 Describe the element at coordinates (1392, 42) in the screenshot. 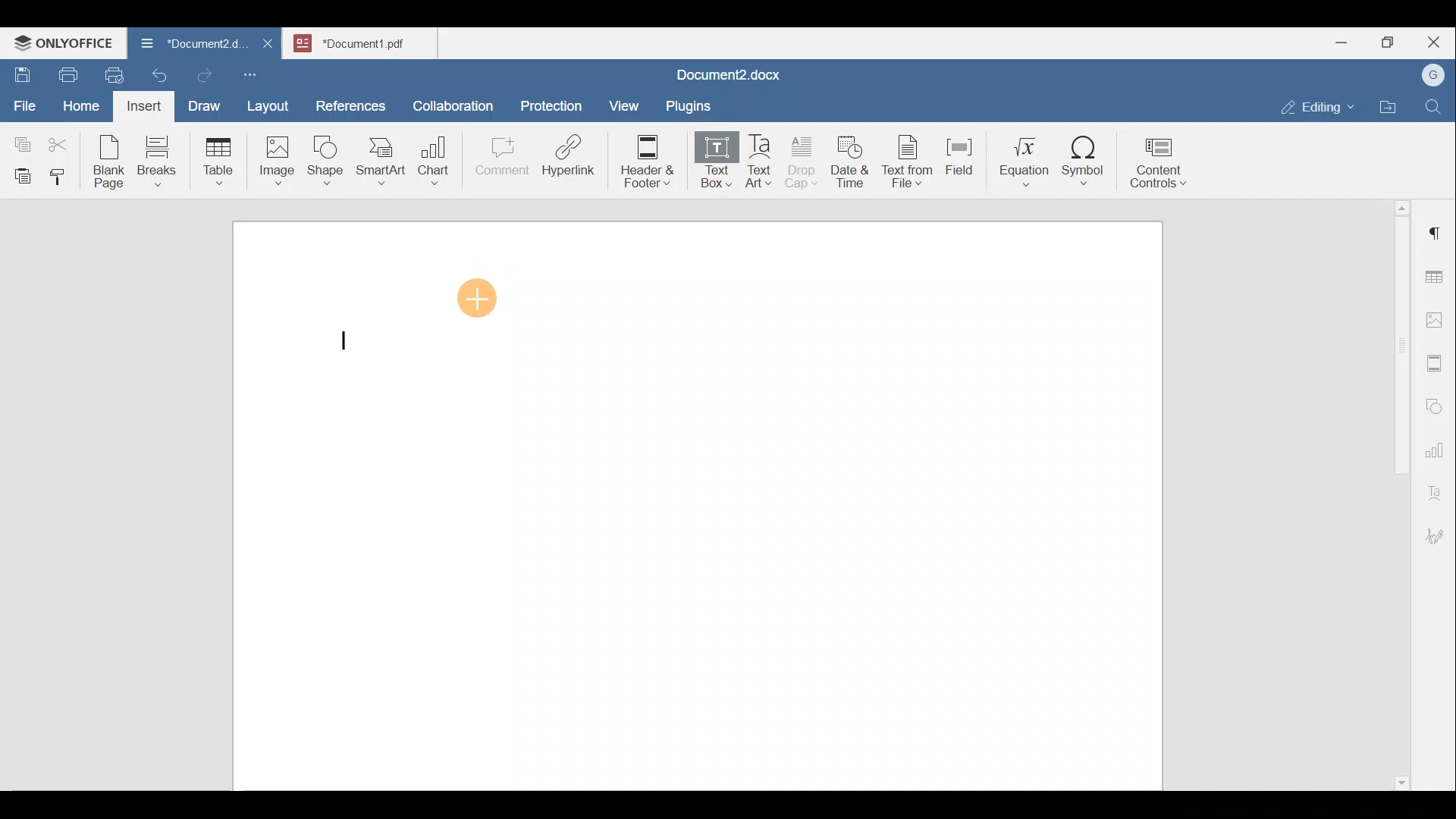

I see `Maximize` at that location.